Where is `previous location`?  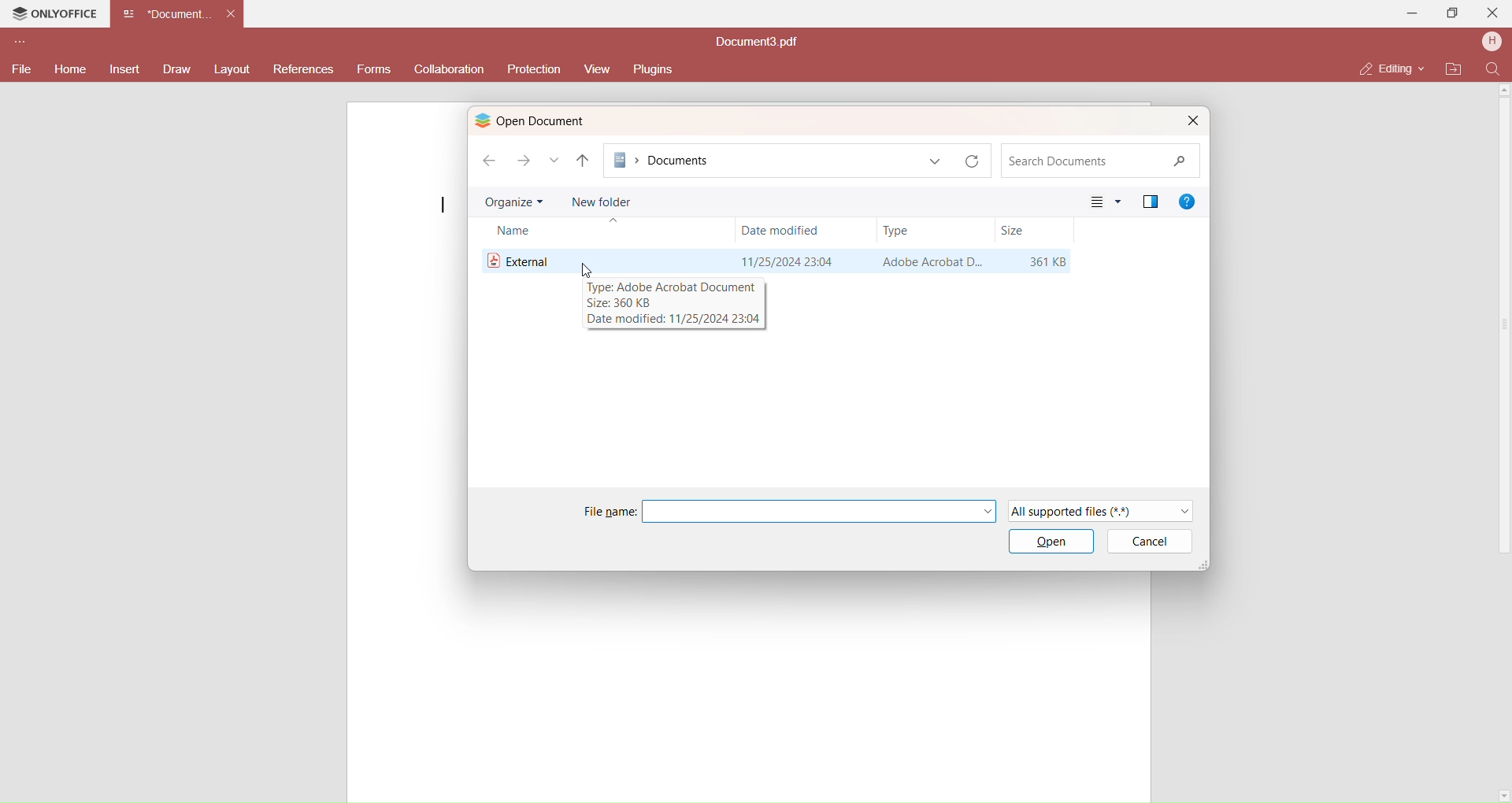
previous location is located at coordinates (936, 161).